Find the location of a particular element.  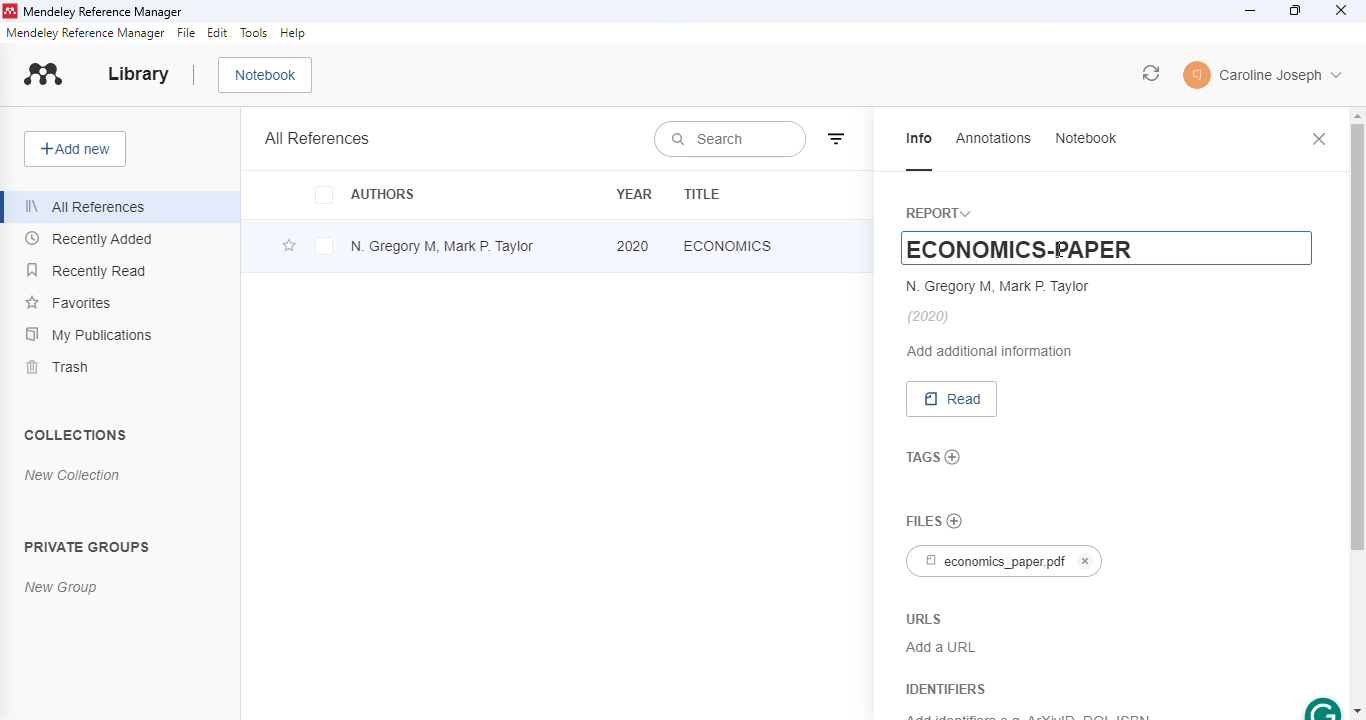

collections is located at coordinates (77, 434).